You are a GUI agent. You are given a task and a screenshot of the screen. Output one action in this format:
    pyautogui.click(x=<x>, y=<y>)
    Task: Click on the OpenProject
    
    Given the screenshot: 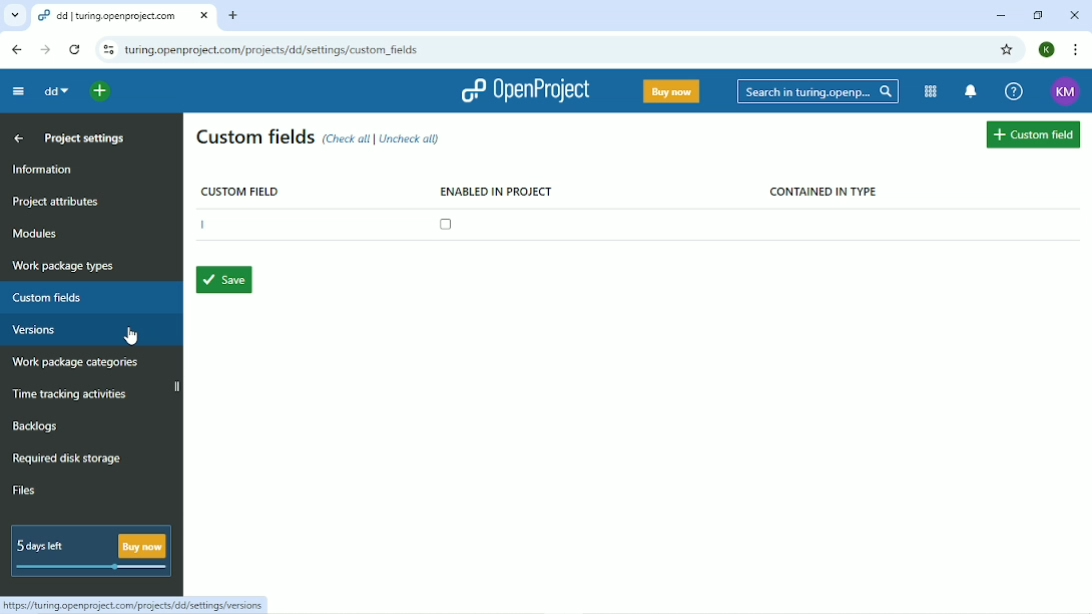 What is the action you would take?
    pyautogui.click(x=525, y=90)
    